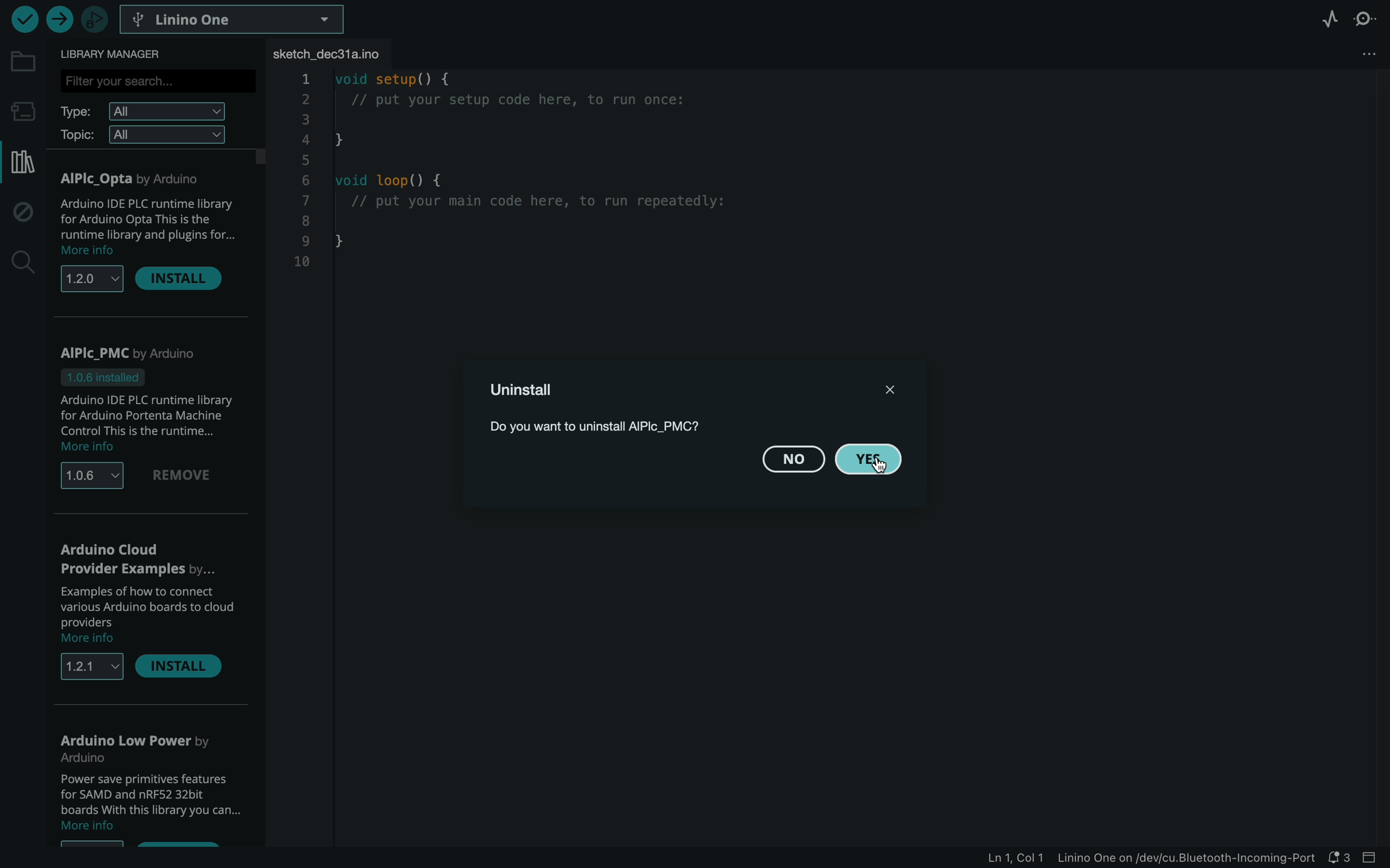  Describe the element at coordinates (144, 111) in the screenshot. I see `type filter` at that location.